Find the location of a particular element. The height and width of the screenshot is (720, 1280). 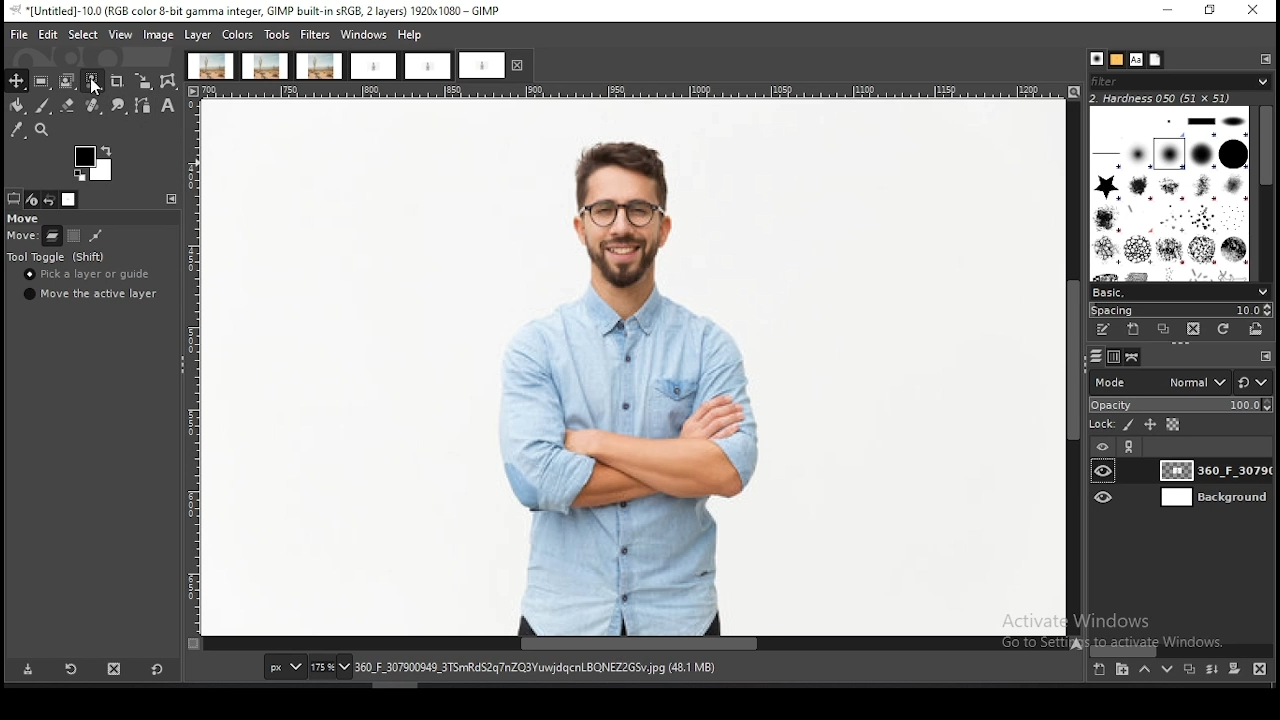

create a new layer is located at coordinates (1100, 668).